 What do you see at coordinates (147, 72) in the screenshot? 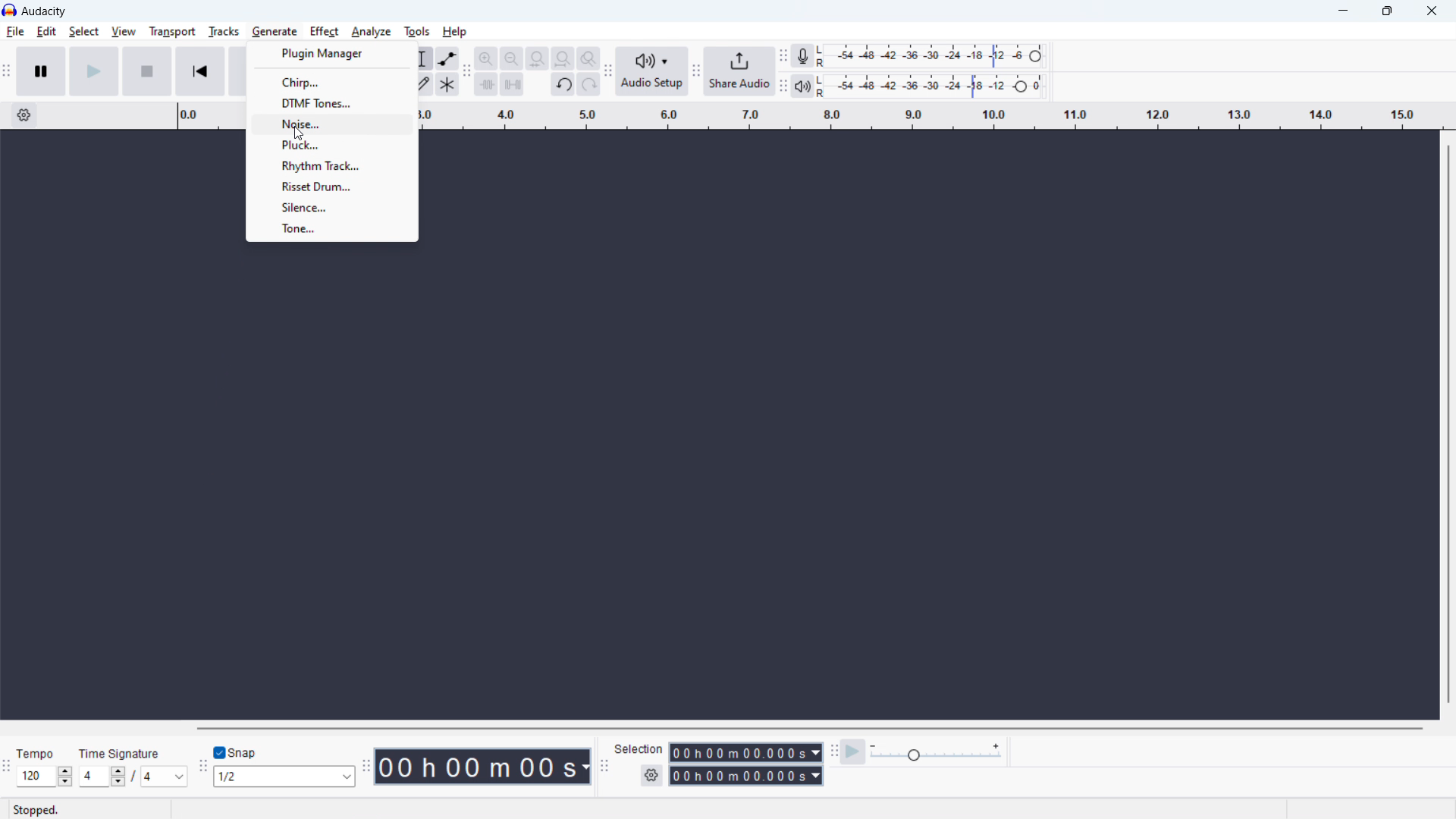
I see `stop` at bounding box center [147, 72].